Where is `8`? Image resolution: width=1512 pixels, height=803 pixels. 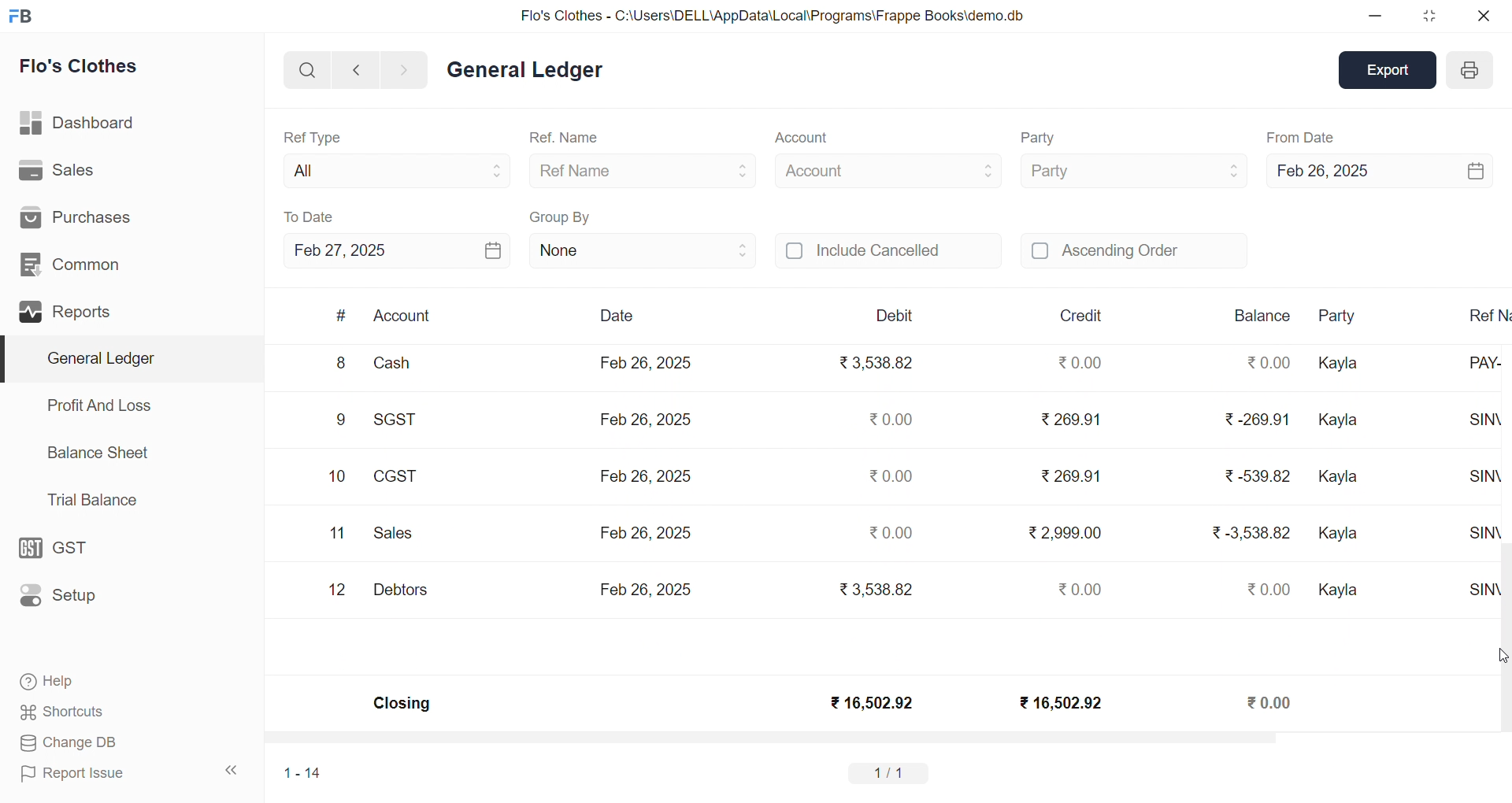
8 is located at coordinates (339, 364).